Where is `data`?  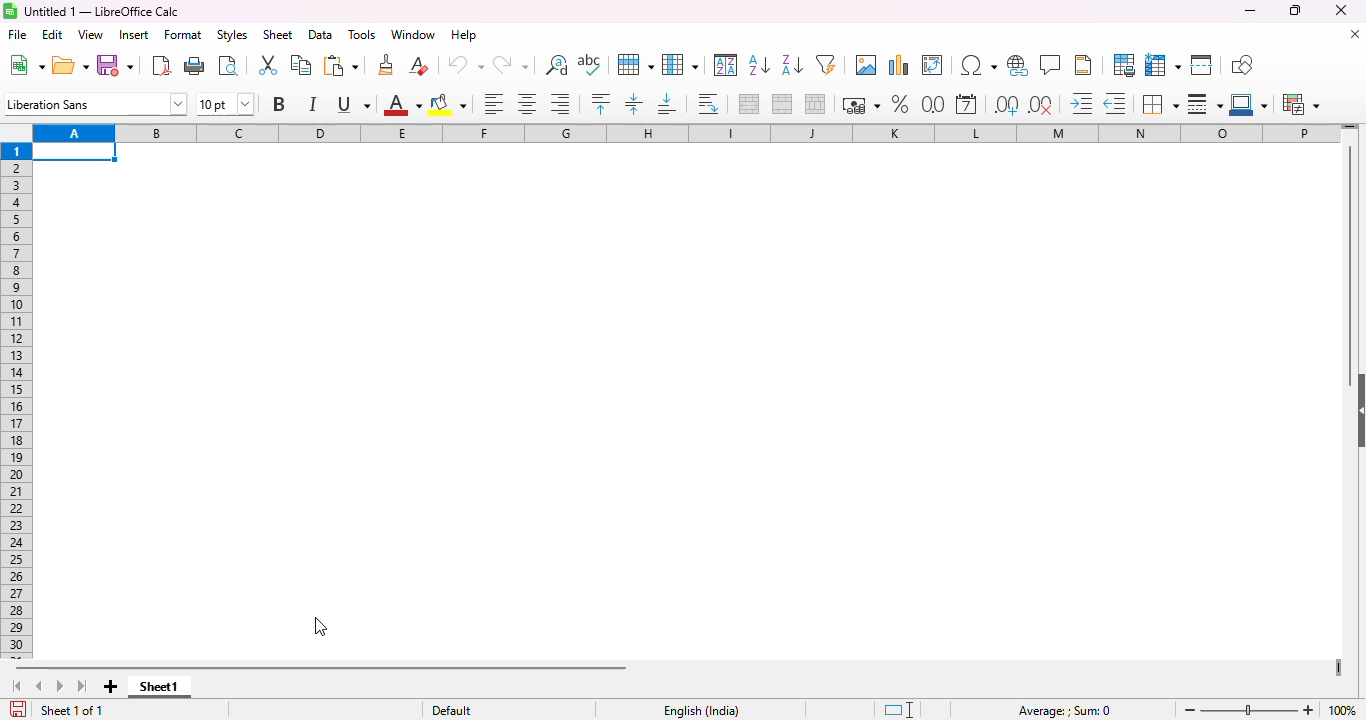 data is located at coordinates (320, 34).